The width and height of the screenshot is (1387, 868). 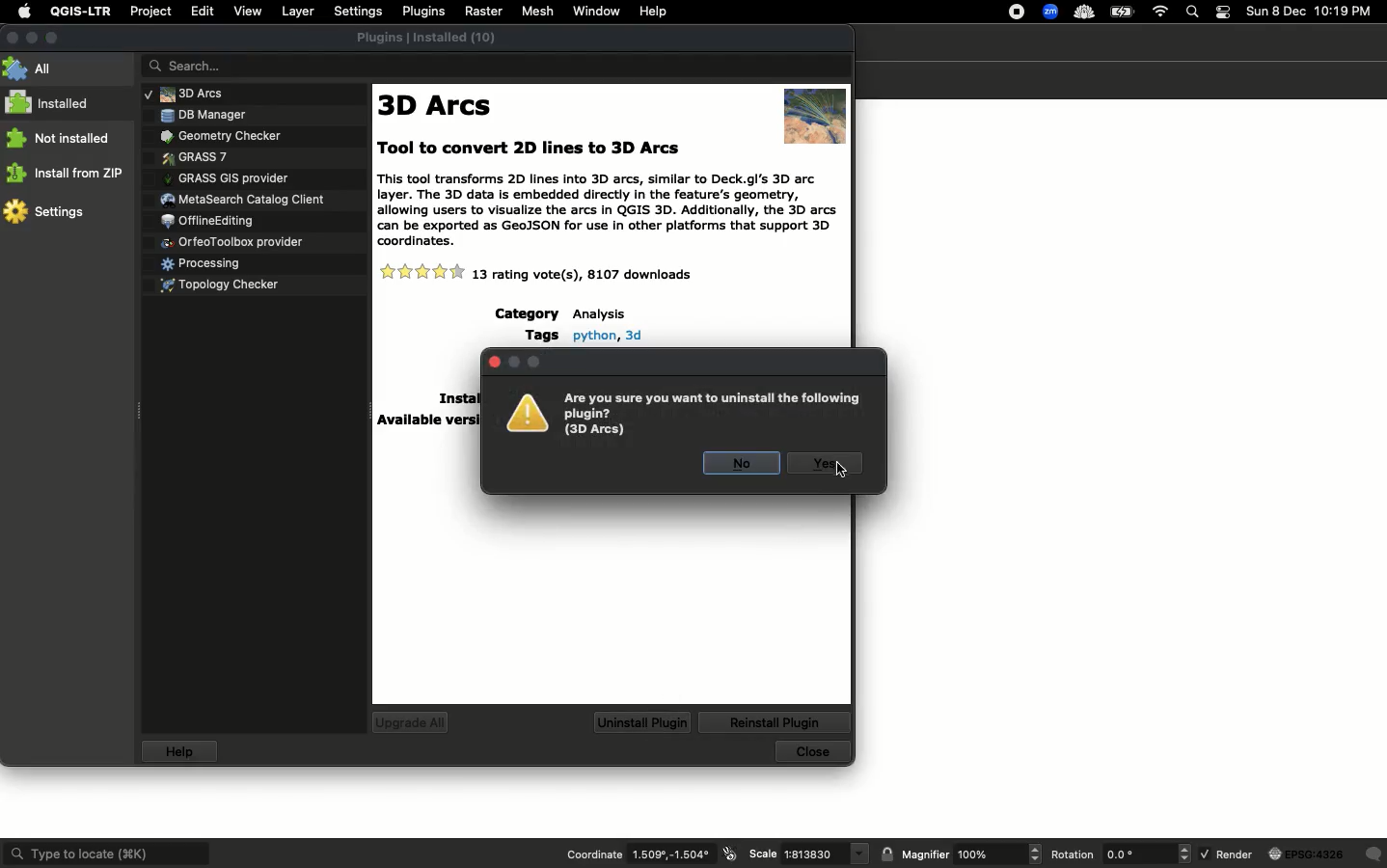 I want to click on No, so click(x=743, y=463).